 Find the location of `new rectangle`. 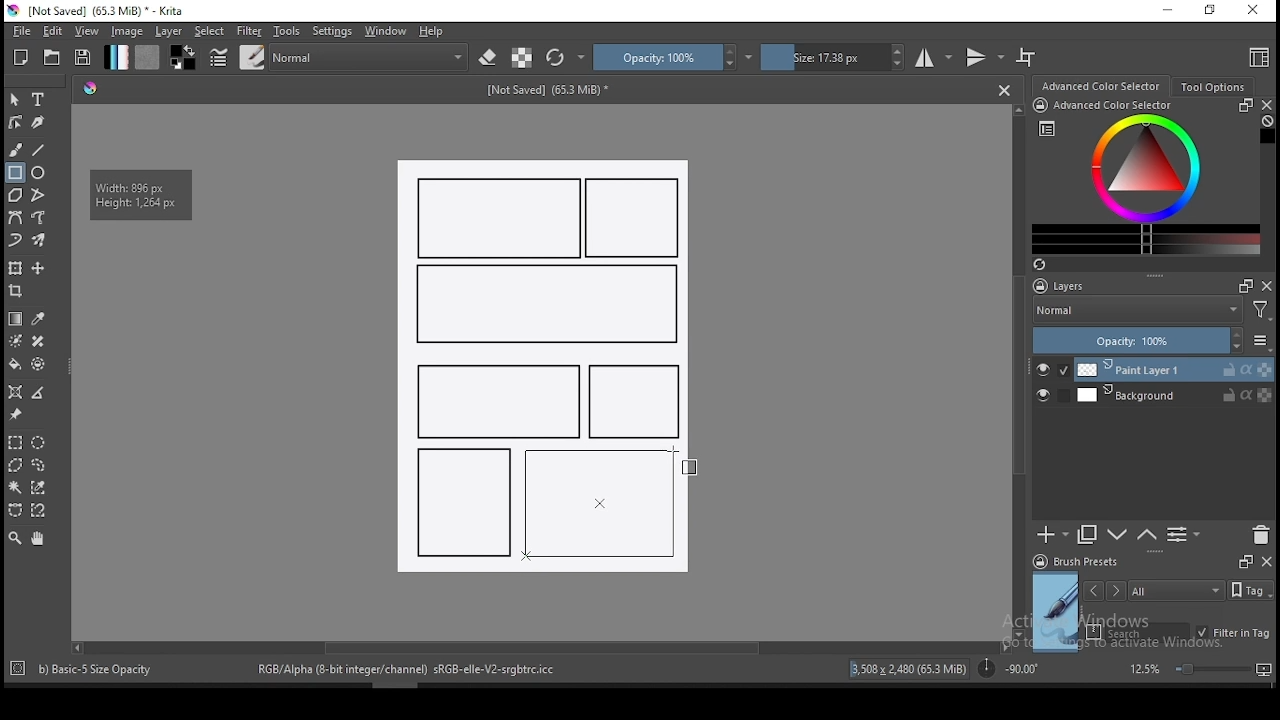

new rectangle is located at coordinates (464, 500).